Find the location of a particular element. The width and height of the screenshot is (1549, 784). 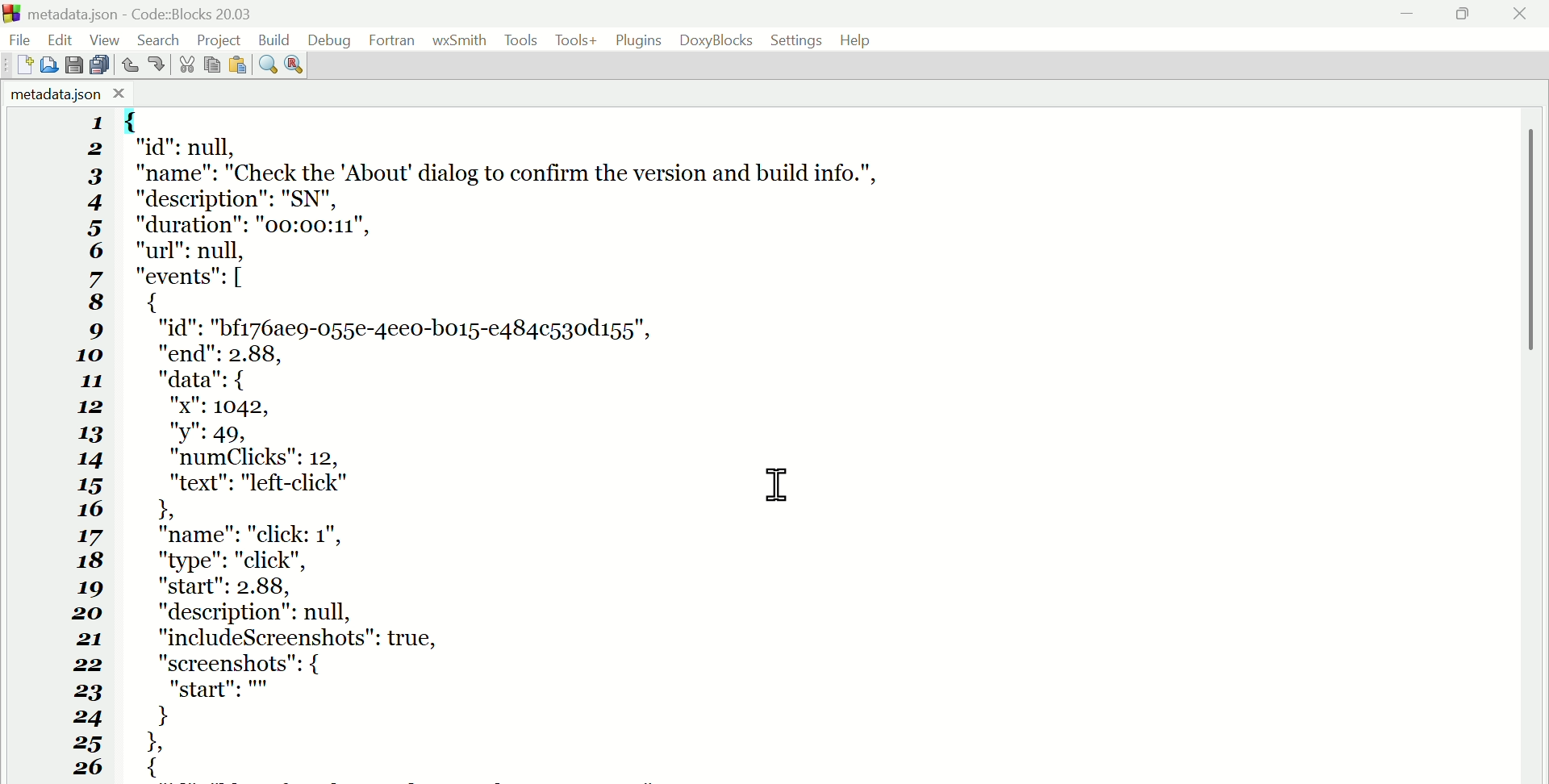

Undo is located at coordinates (132, 61).